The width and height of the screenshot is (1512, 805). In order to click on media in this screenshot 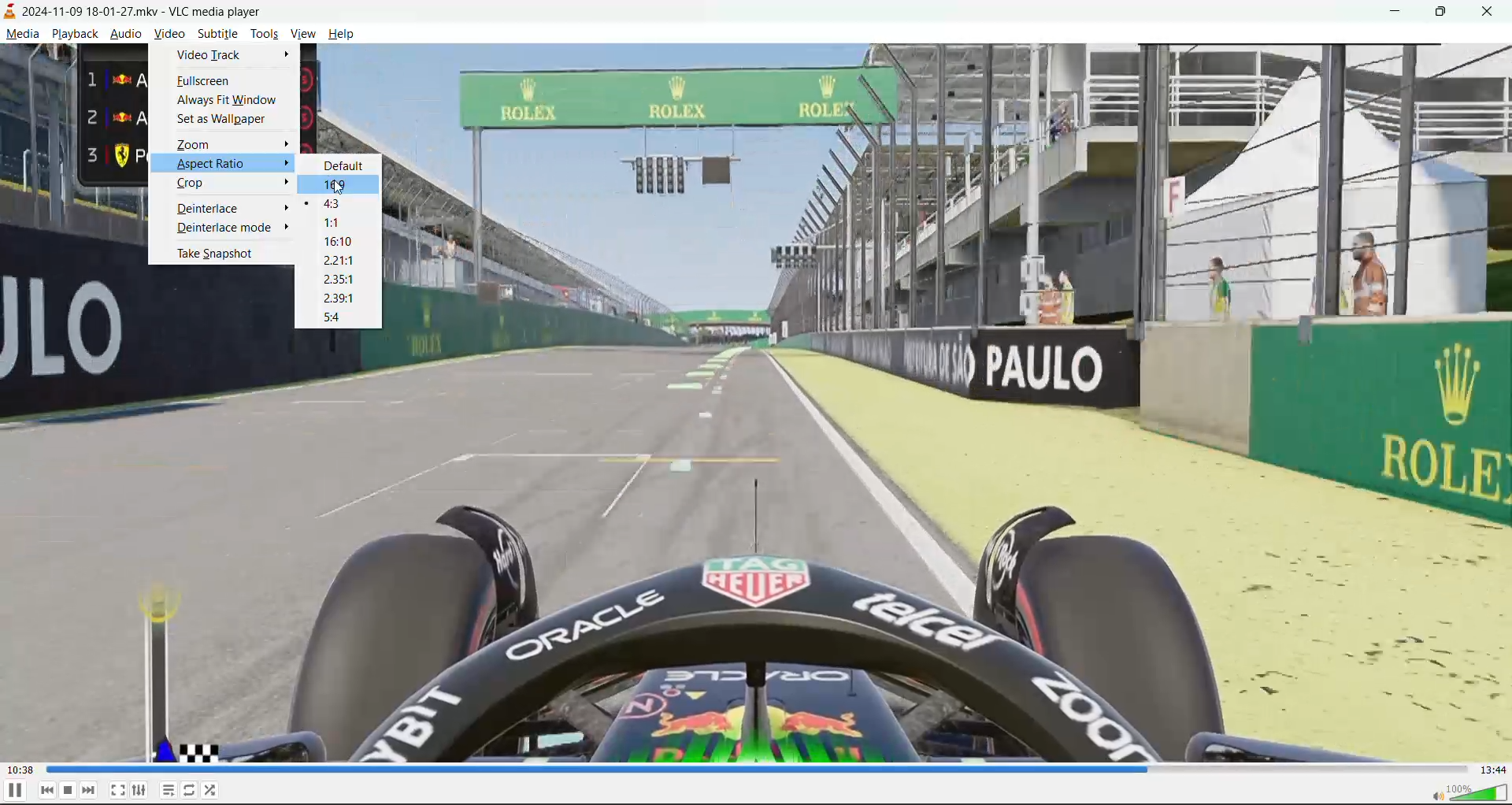, I will do `click(23, 34)`.